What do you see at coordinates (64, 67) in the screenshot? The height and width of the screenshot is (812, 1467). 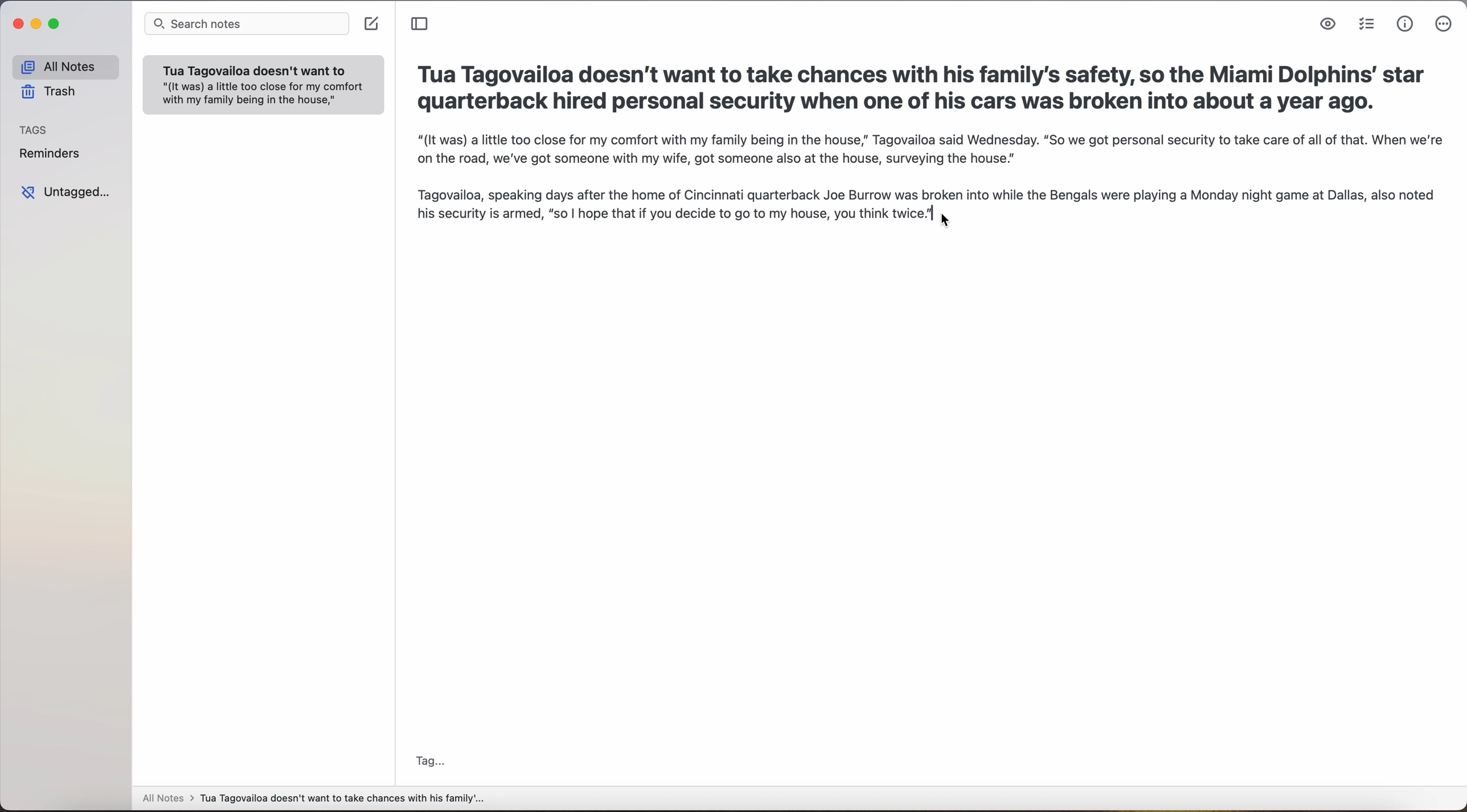 I see `all notes` at bounding box center [64, 67].